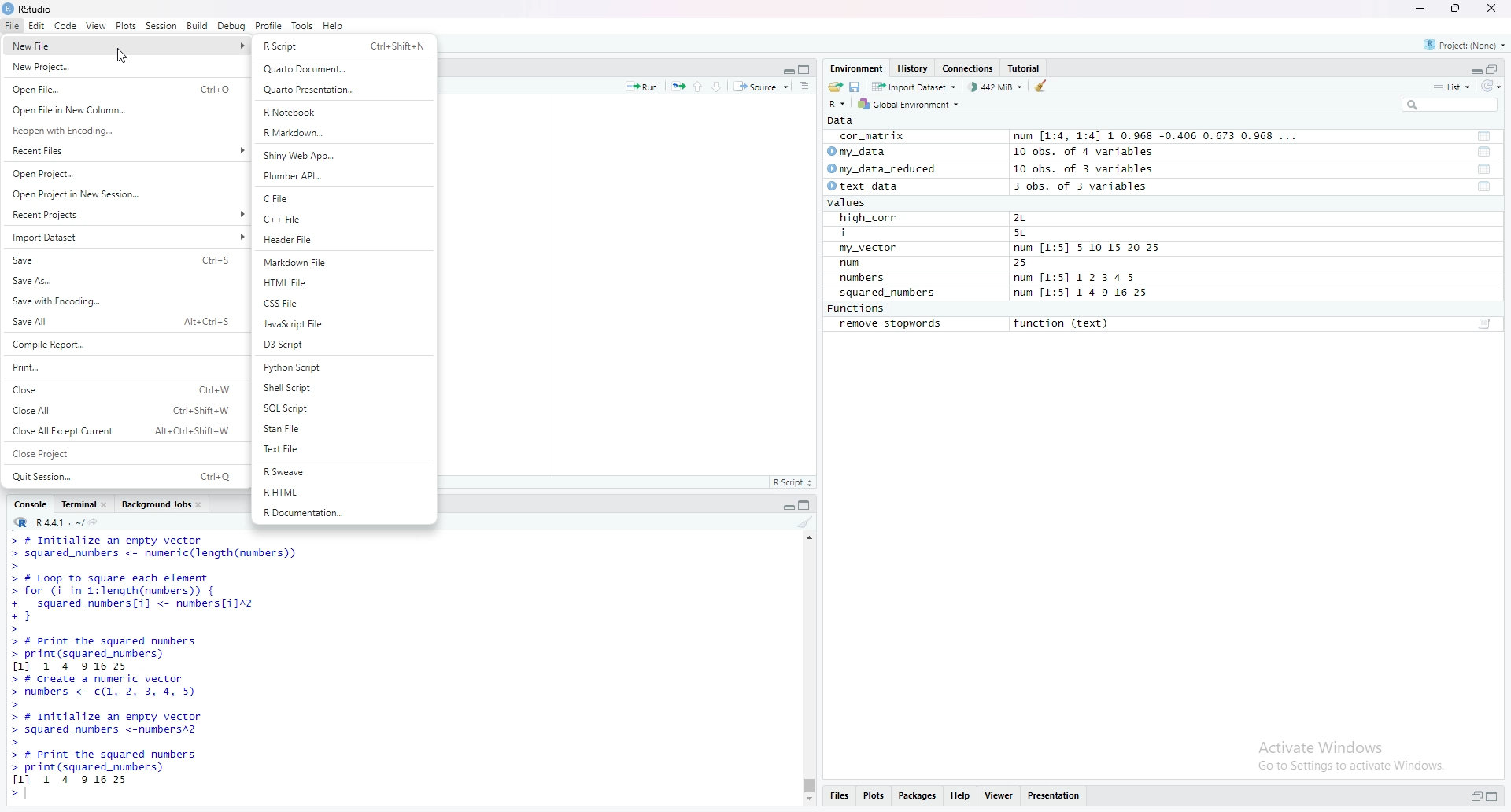 Image resolution: width=1511 pixels, height=812 pixels. What do you see at coordinates (342, 155) in the screenshot?
I see `Shiny Web App...` at bounding box center [342, 155].